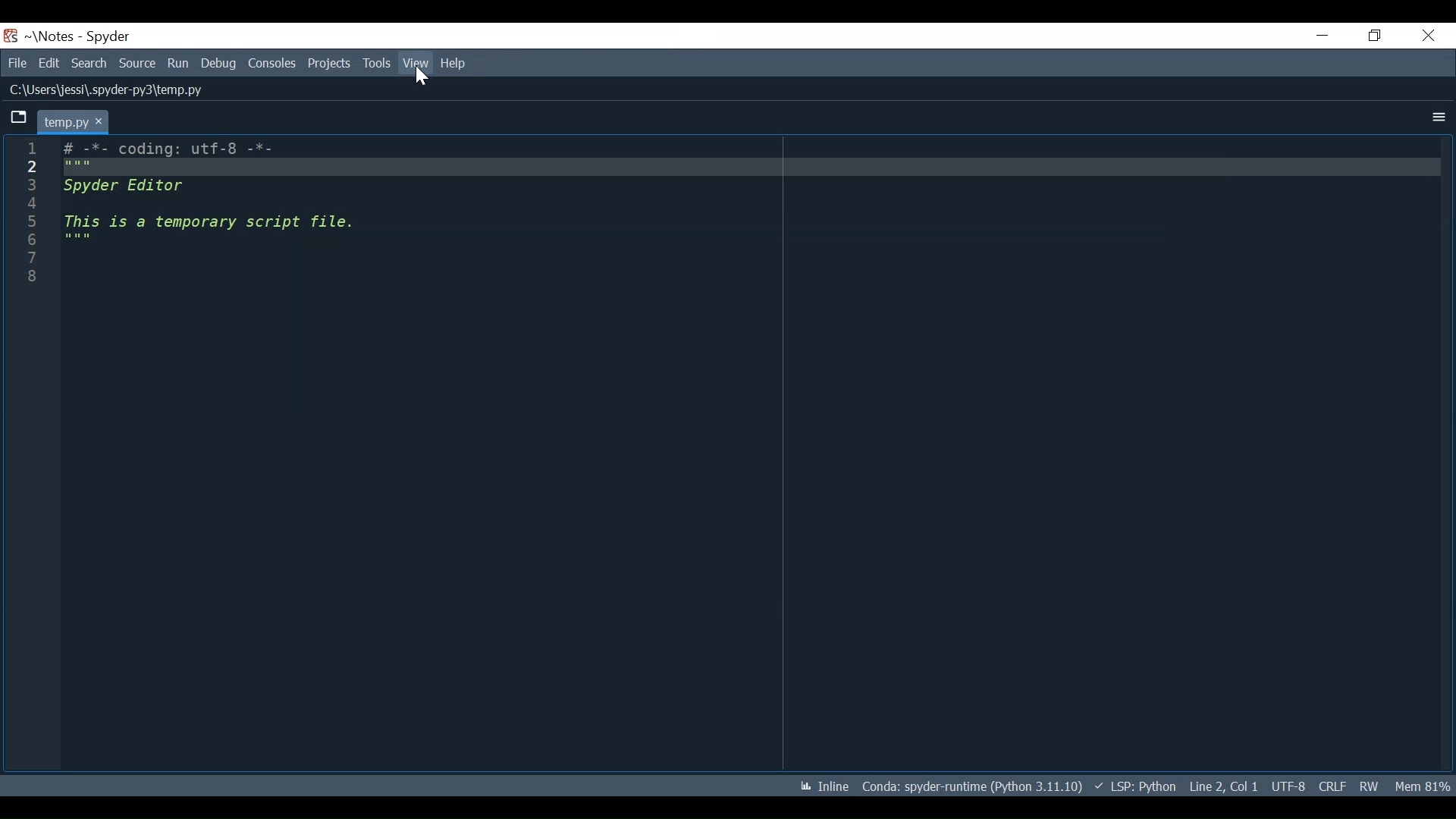 This screenshot has width=1456, height=819. Describe the element at coordinates (91, 63) in the screenshot. I see `Search` at that location.